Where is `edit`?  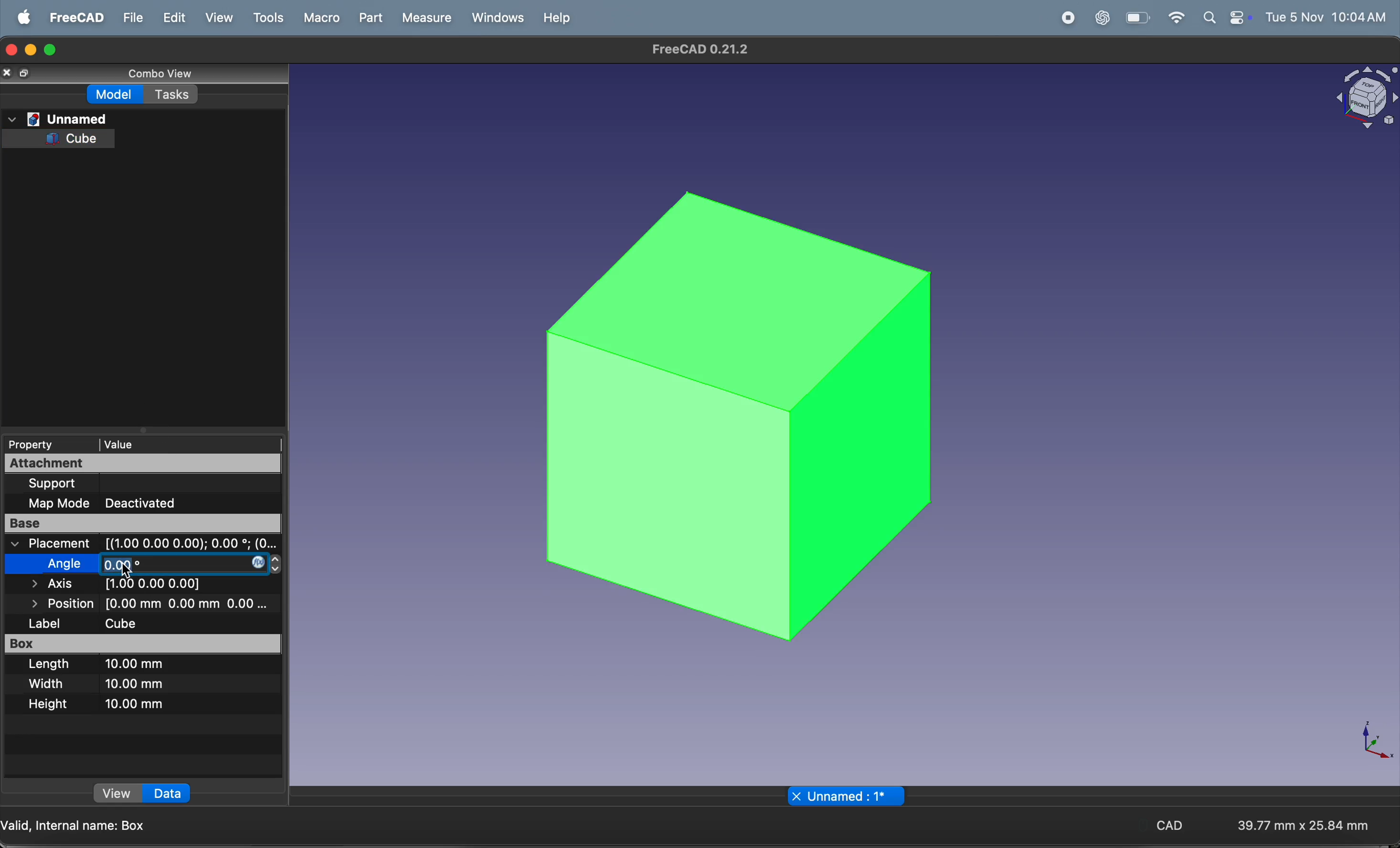 edit is located at coordinates (168, 16).